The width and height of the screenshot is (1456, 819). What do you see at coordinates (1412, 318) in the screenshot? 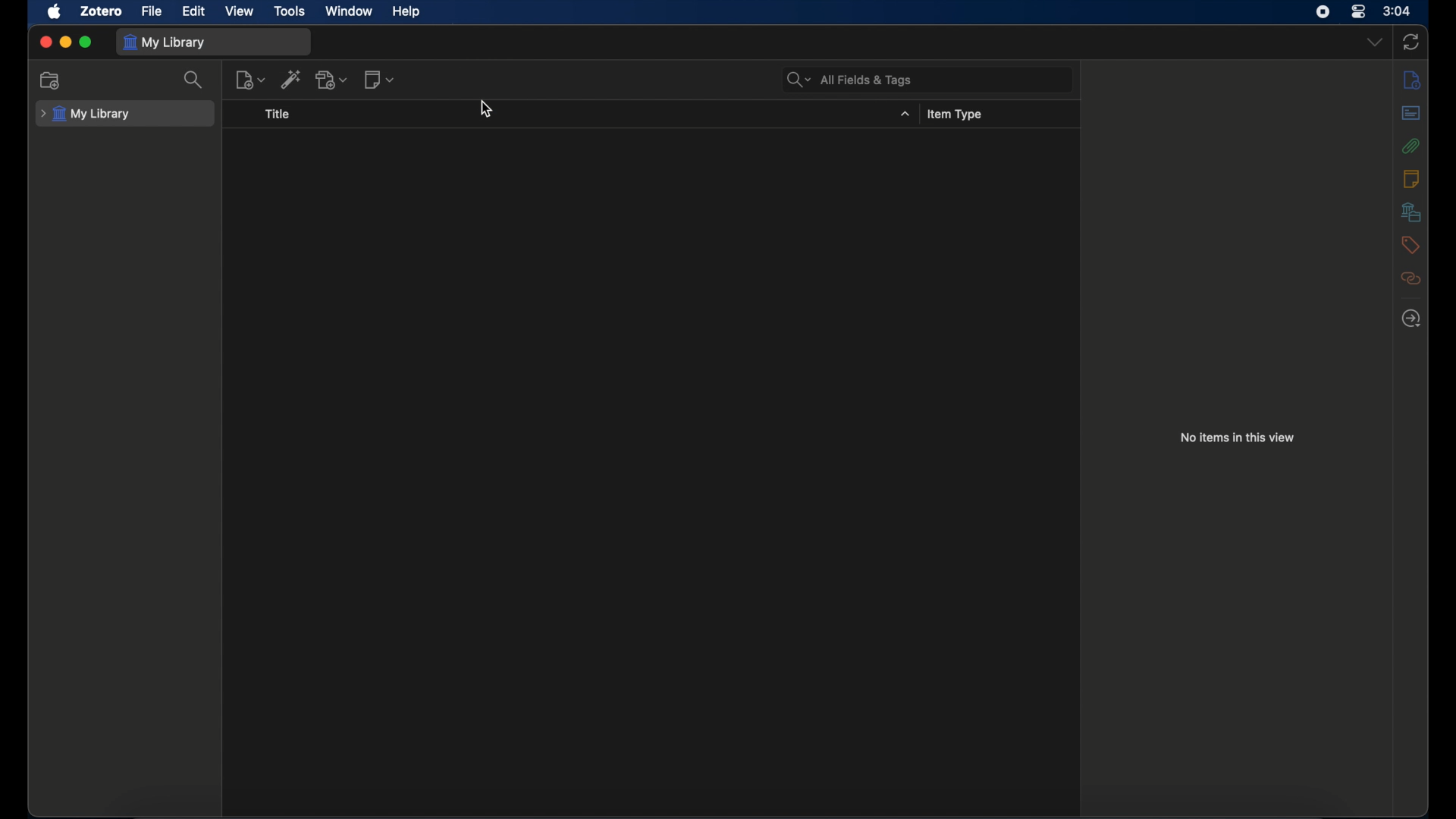
I see `locate` at bounding box center [1412, 318].